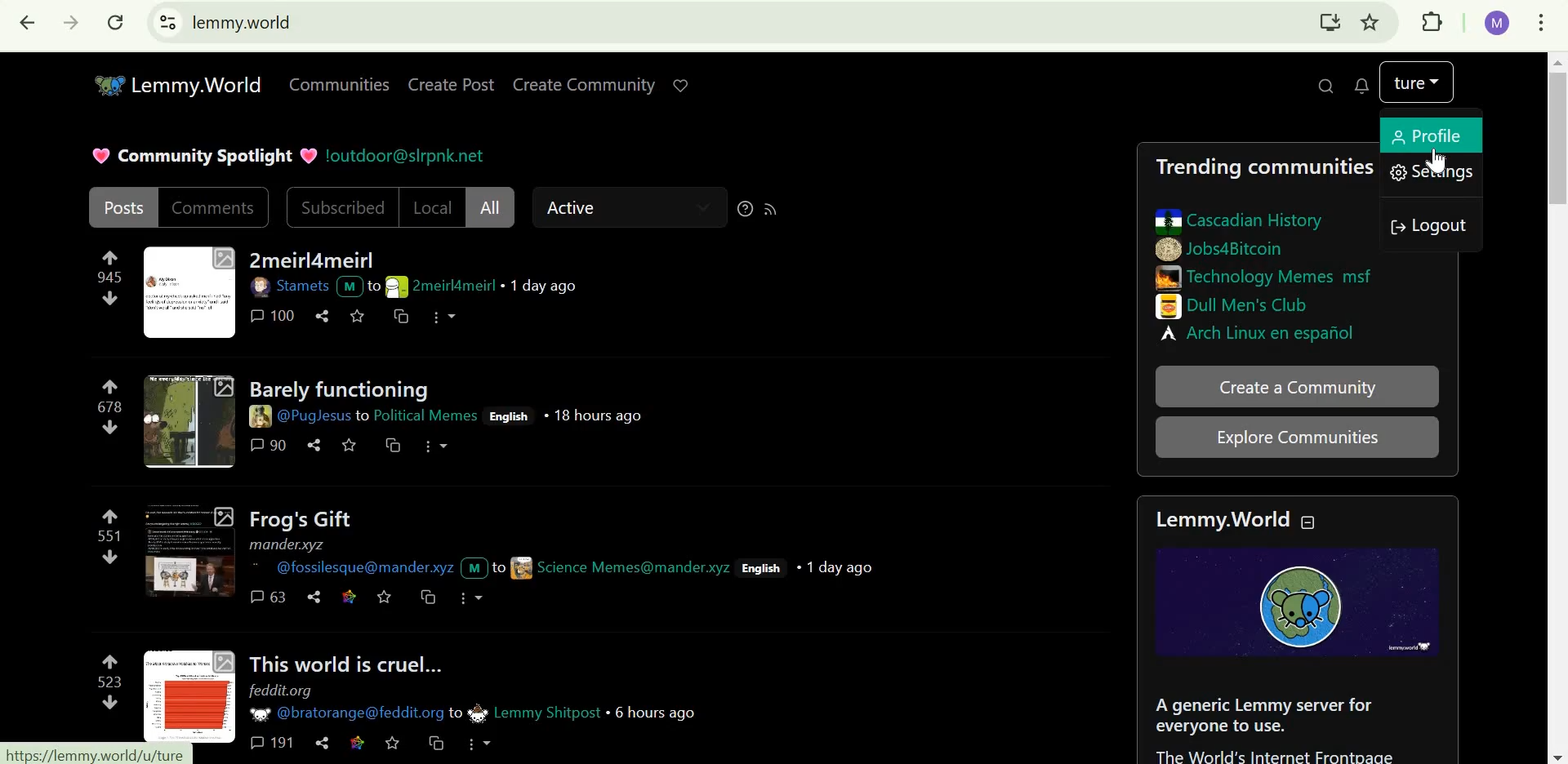 The height and width of the screenshot is (764, 1568). Describe the element at coordinates (343, 208) in the screenshot. I see `subscribed` at that location.